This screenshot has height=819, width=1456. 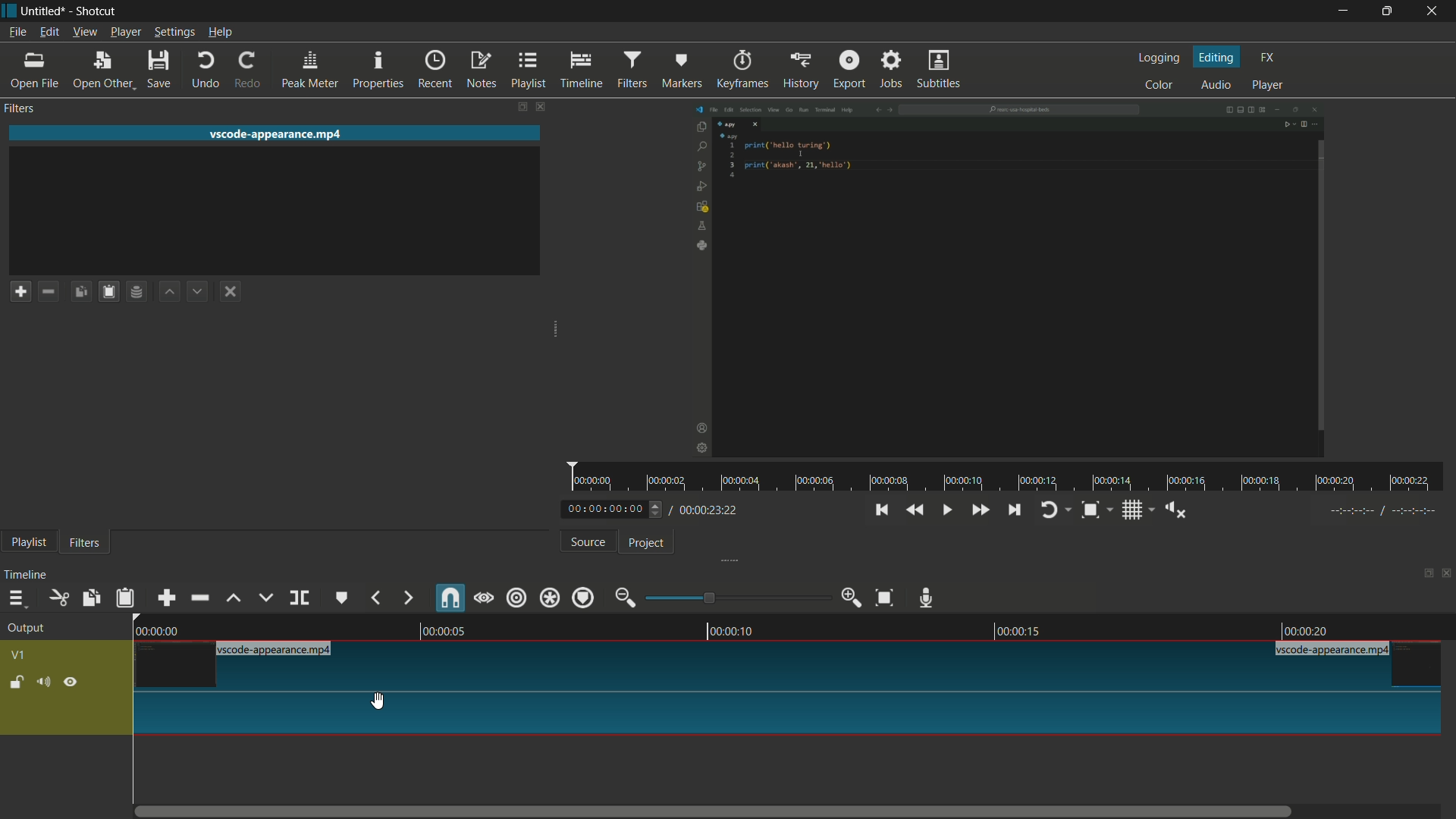 I want to click on copy checked filters, so click(x=81, y=290).